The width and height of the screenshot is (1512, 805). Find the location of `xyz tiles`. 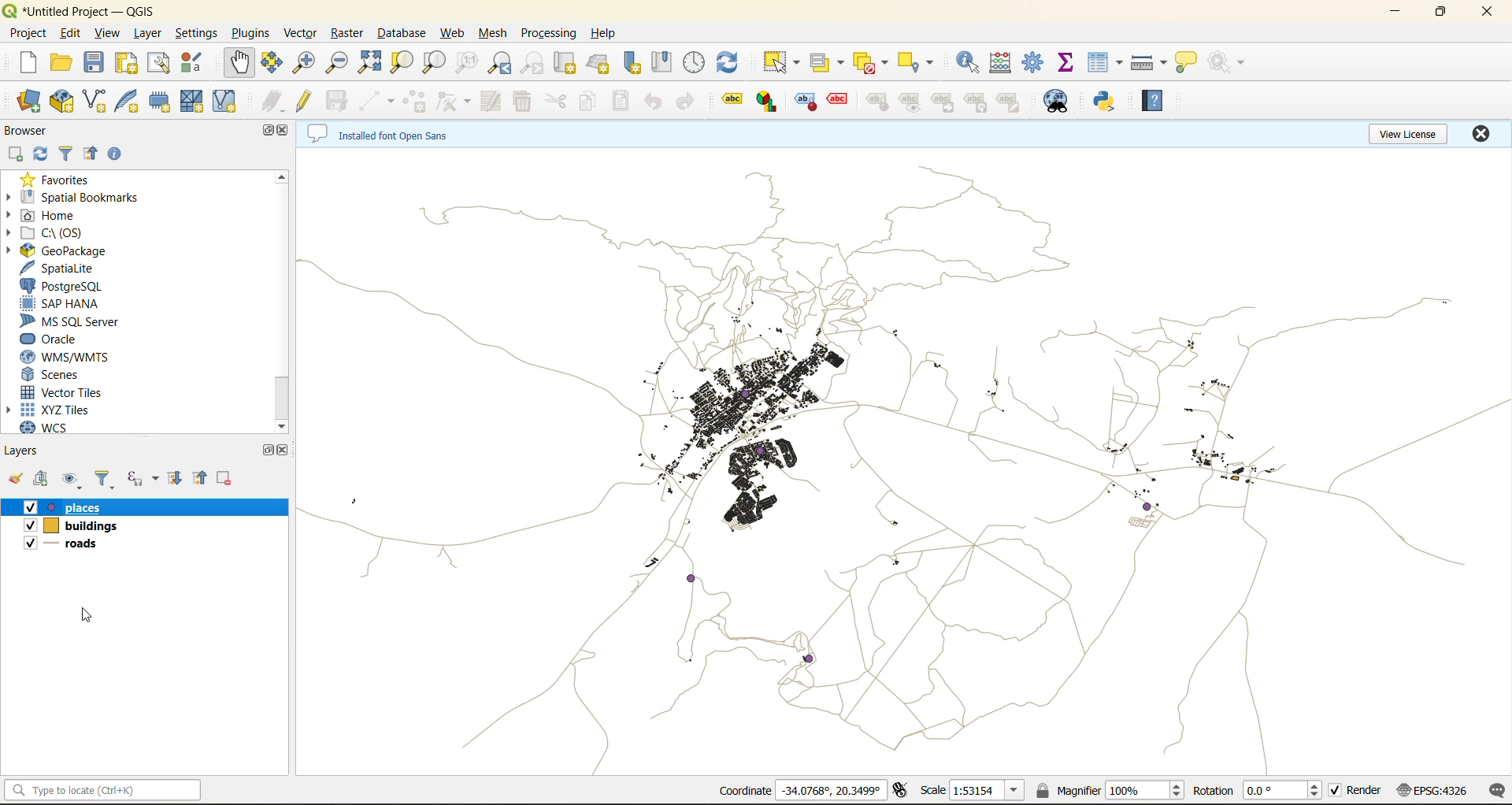

xyz tiles is located at coordinates (57, 410).